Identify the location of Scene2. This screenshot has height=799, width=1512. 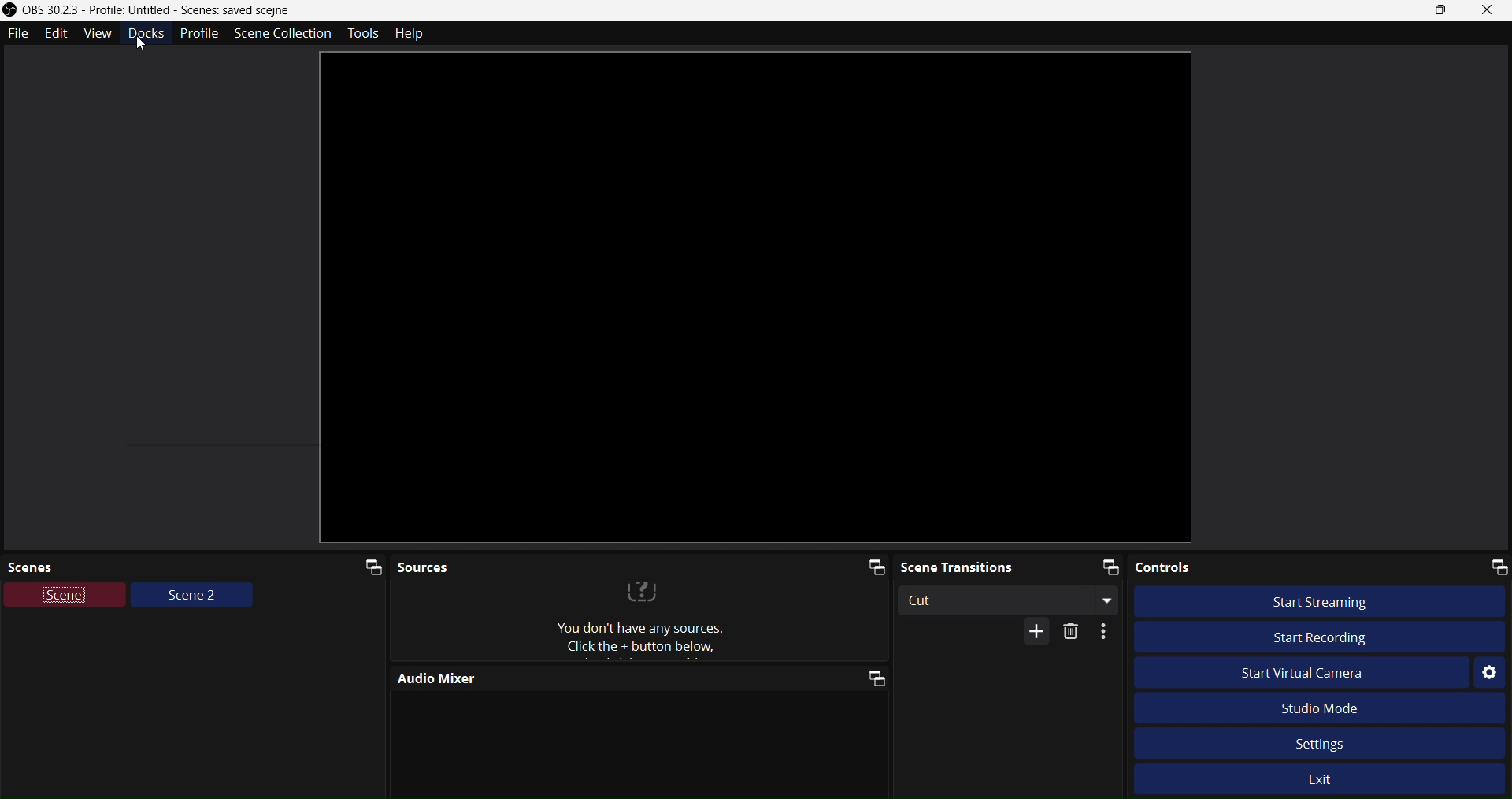
(192, 598).